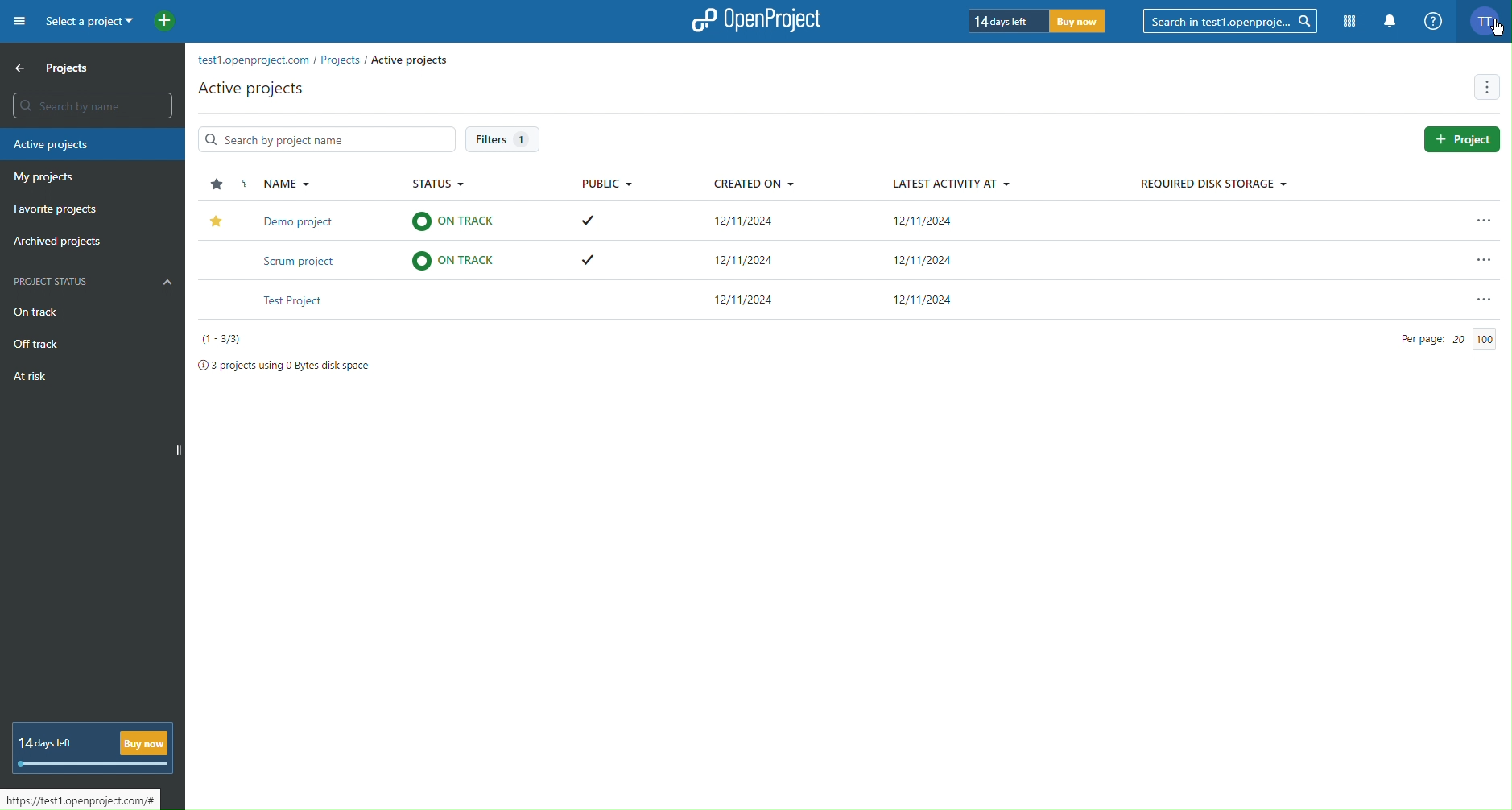 The image size is (1512, 810). I want to click on Cursor , so click(1497, 32).